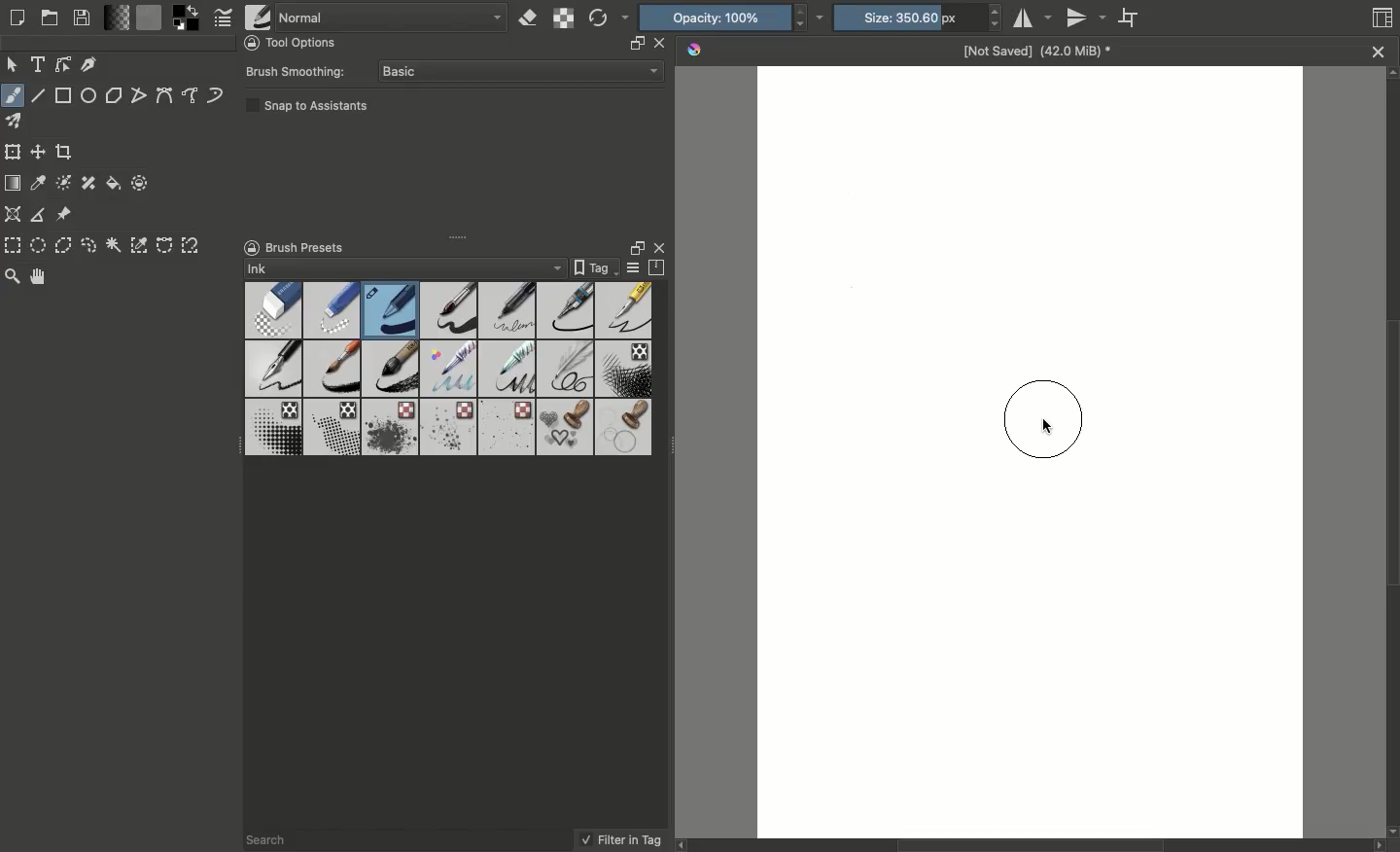 Image resolution: width=1400 pixels, height=852 pixels. I want to click on Move, so click(13, 63).